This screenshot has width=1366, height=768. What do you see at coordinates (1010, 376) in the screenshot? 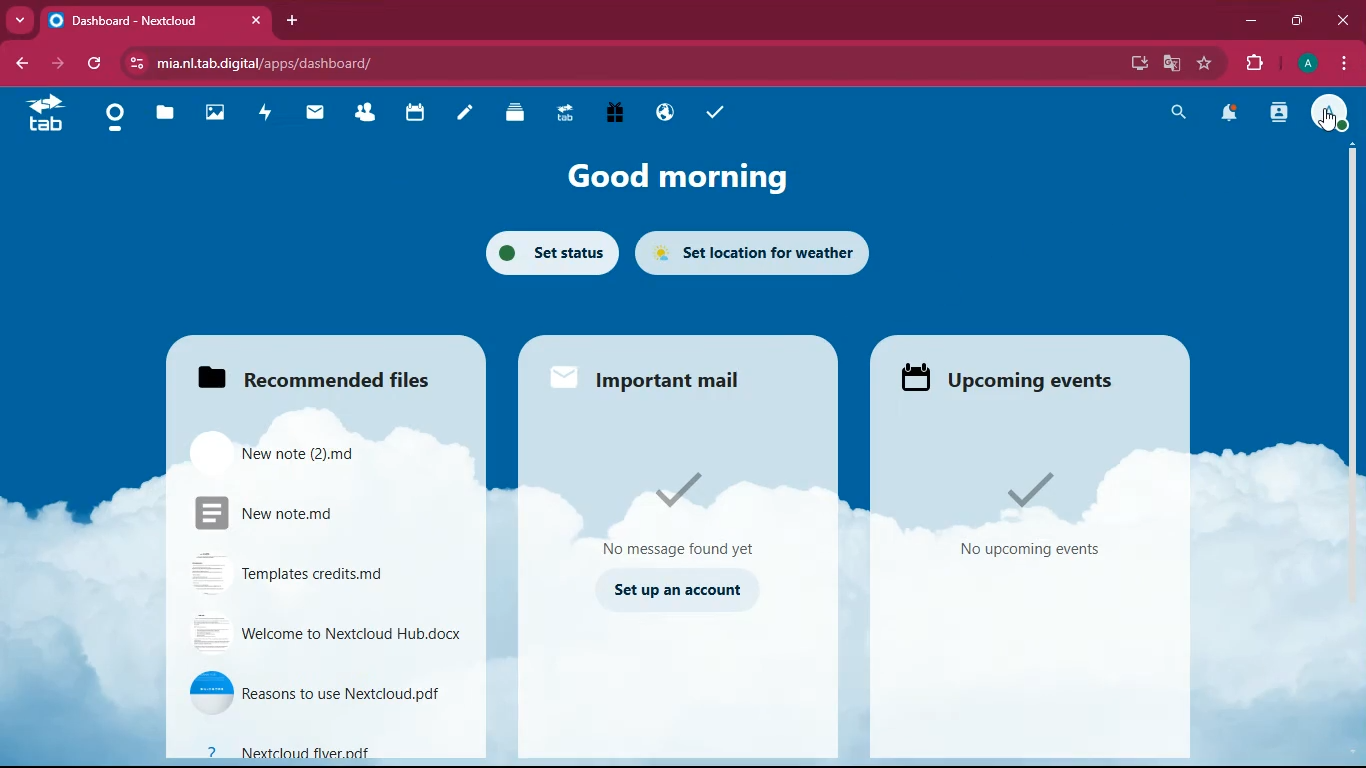
I see `events` at bounding box center [1010, 376].